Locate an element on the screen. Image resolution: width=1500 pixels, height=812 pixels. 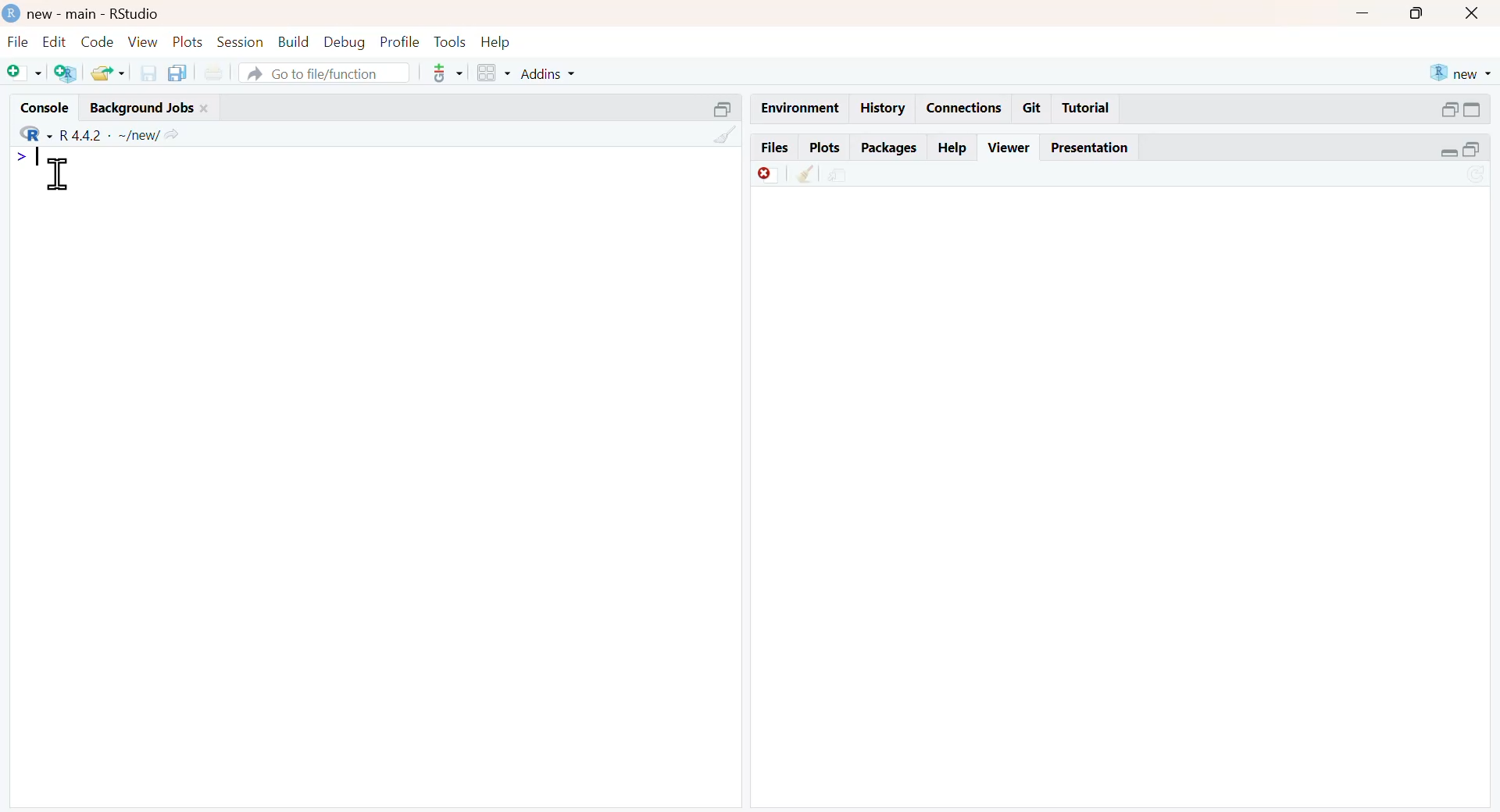
new - main - RStudio is located at coordinates (95, 15).